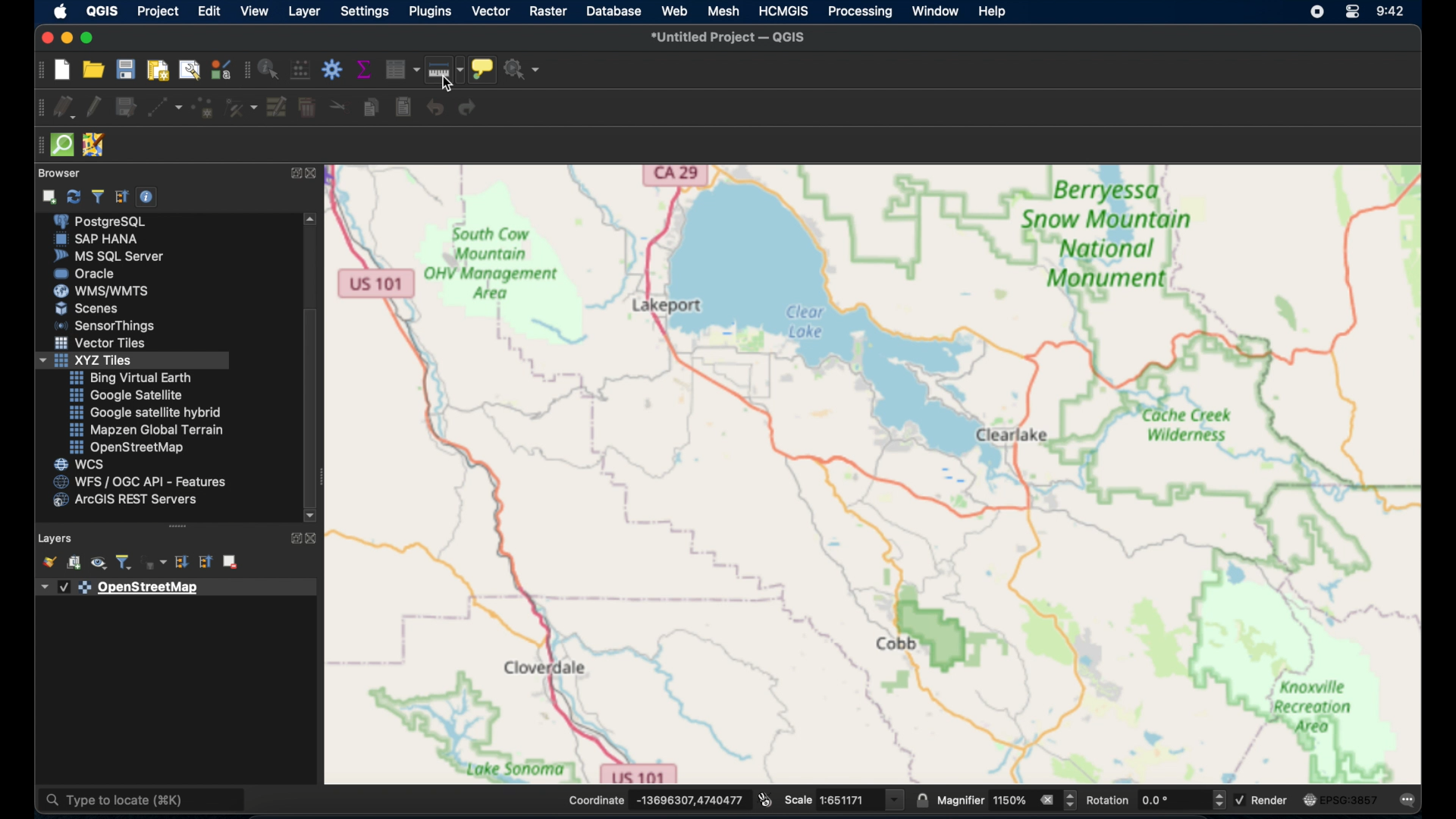 The width and height of the screenshot is (1456, 819). Describe the element at coordinates (102, 345) in the screenshot. I see `` at that location.